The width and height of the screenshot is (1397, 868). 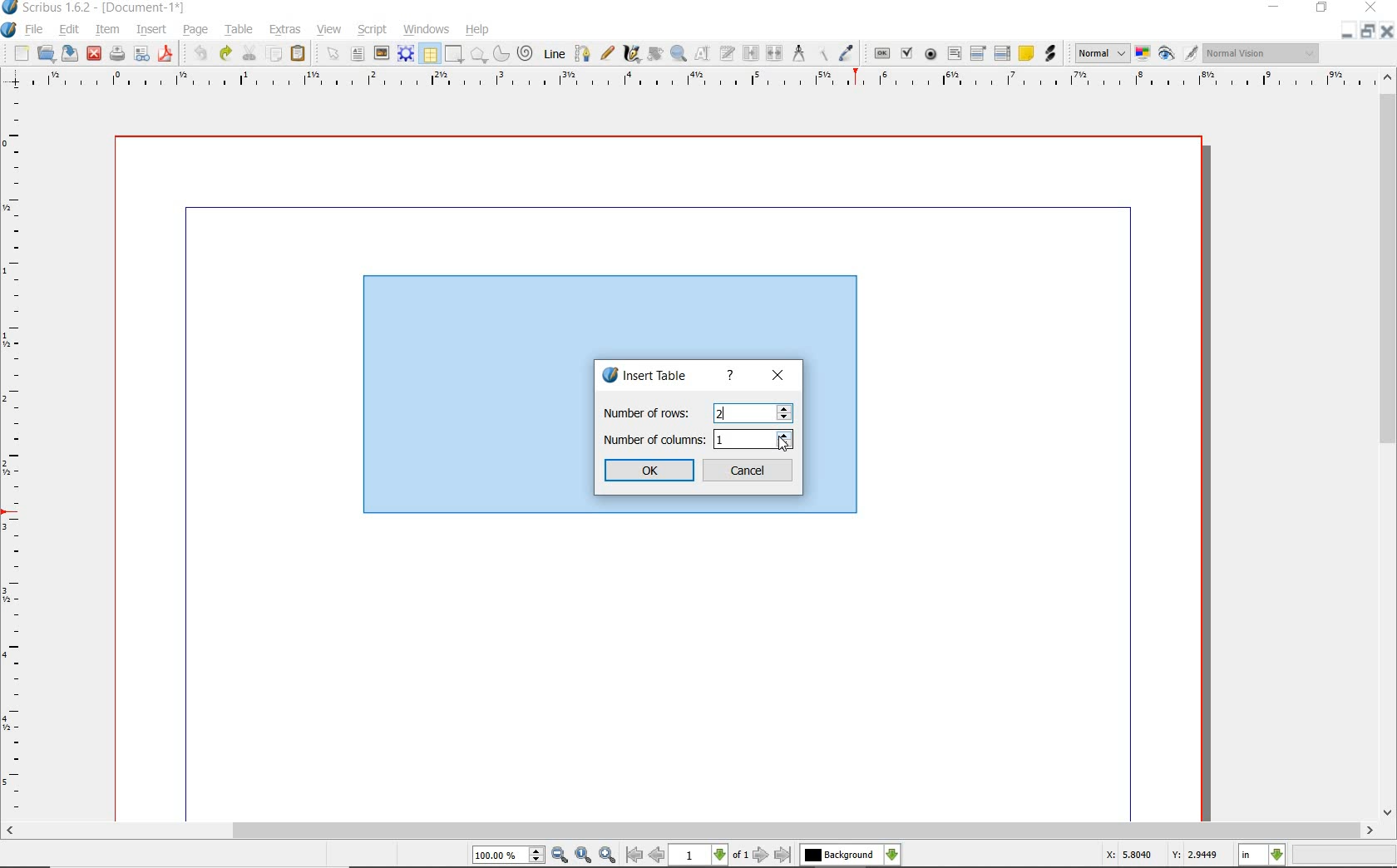 What do you see at coordinates (1027, 54) in the screenshot?
I see `text annotation` at bounding box center [1027, 54].